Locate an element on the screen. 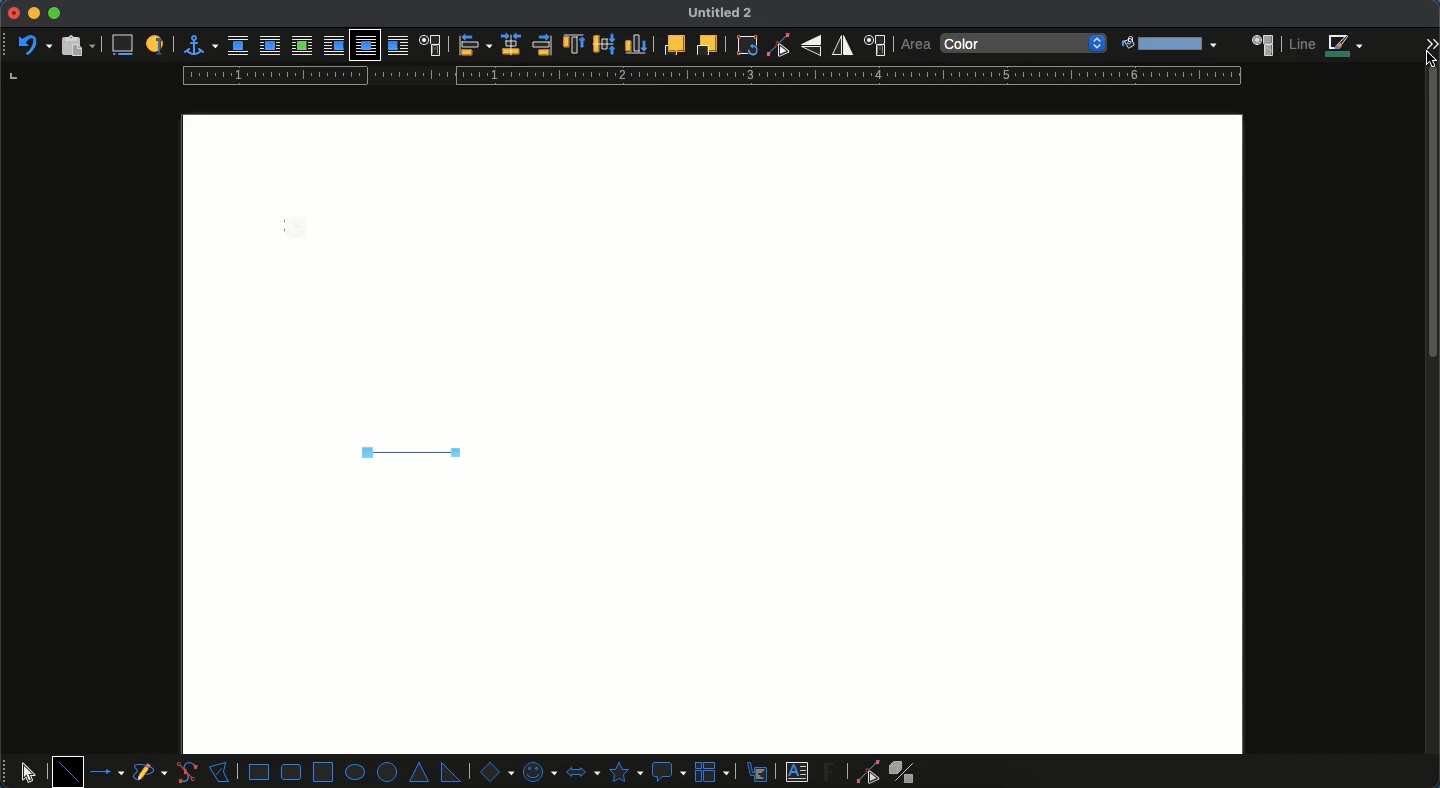 Image resolution: width=1440 pixels, height=788 pixels. text wrap is located at coordinates (429, 44).